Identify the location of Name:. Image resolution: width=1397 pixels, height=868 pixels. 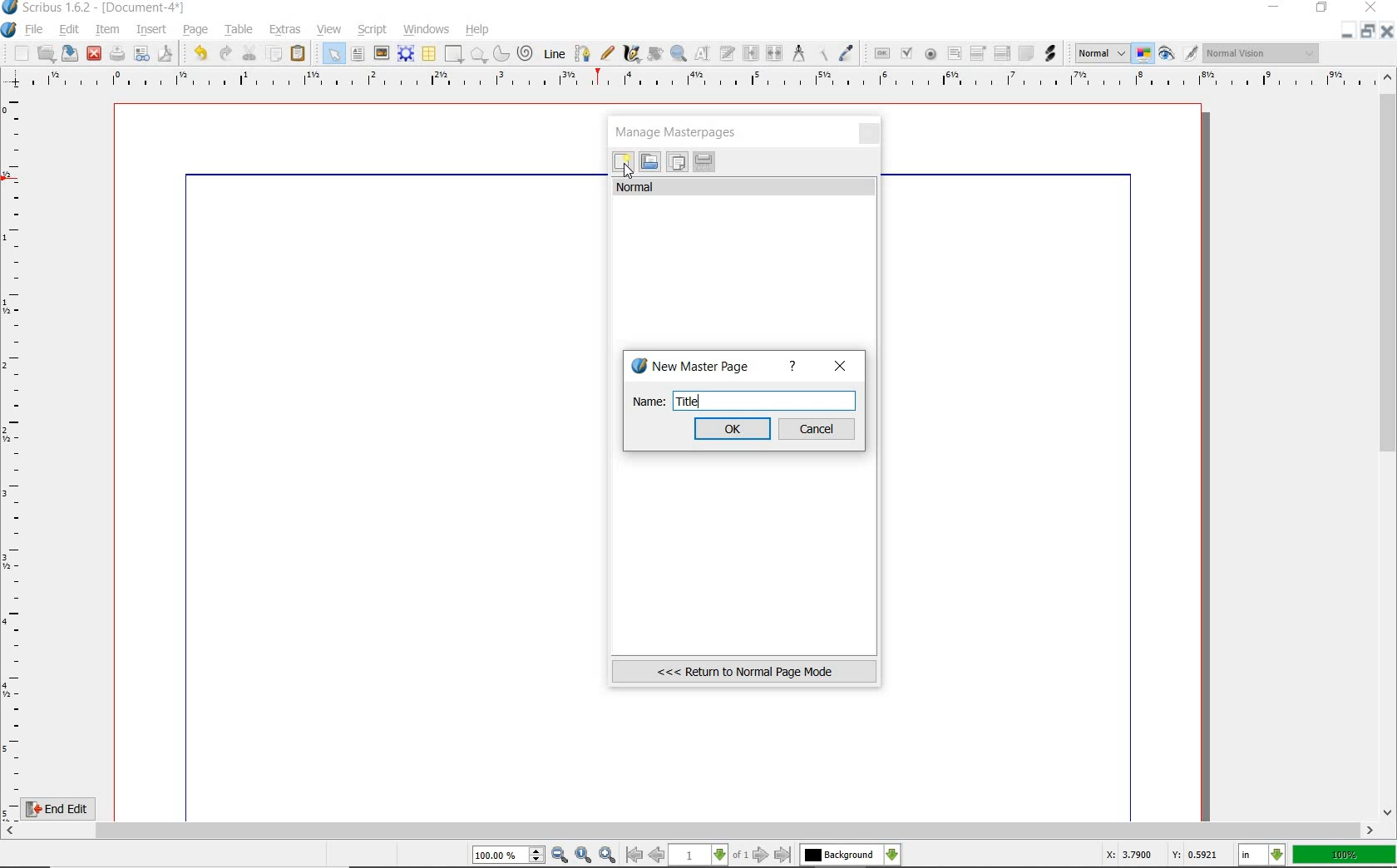
(645, 402).